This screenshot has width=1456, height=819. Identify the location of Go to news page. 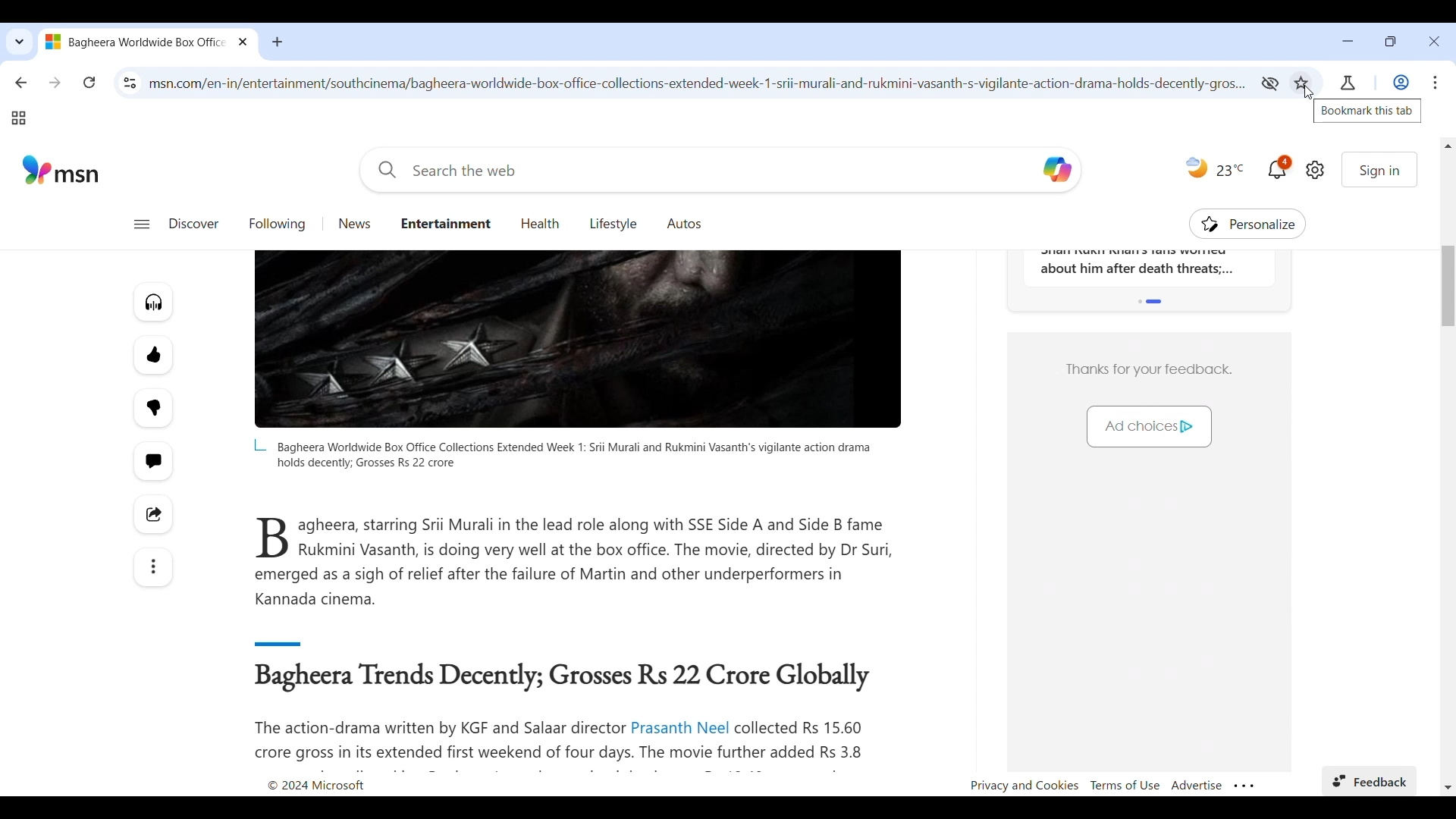
(356, 224).